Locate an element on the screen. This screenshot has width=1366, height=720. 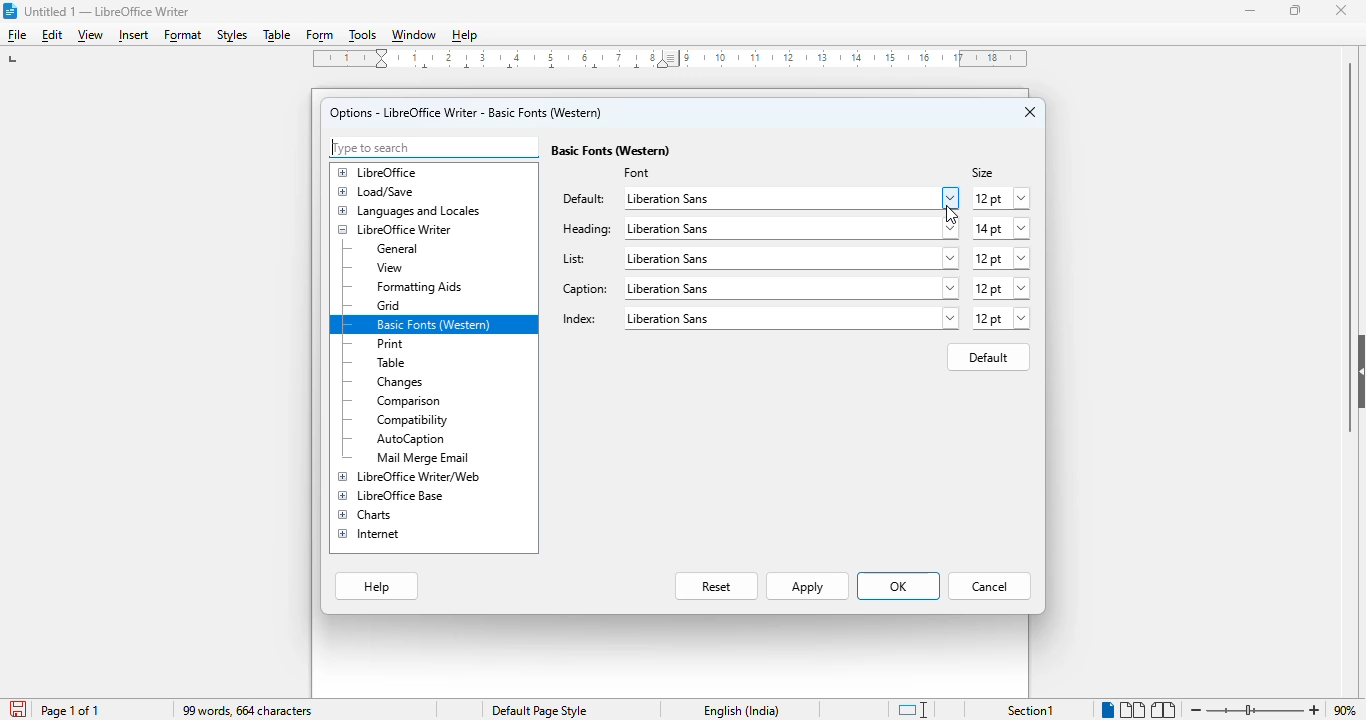
12 pt is located at coordinates (999, 199).